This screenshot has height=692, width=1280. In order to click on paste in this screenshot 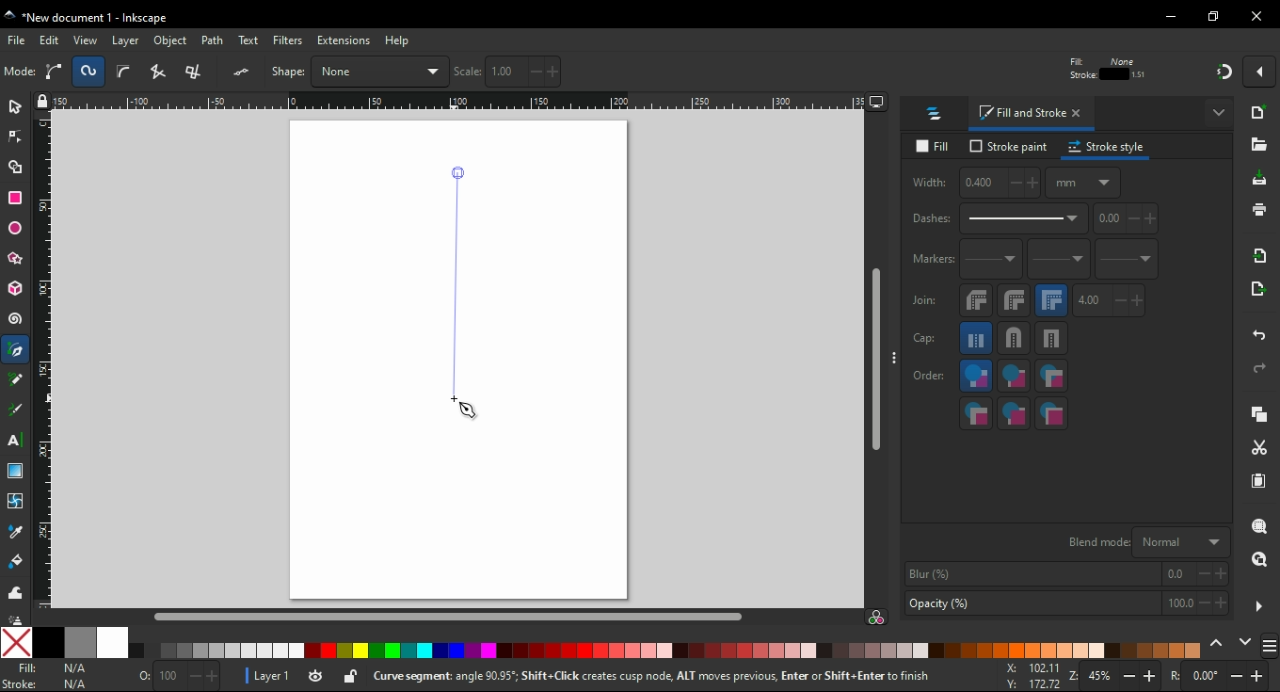, I will do `click(1258, 481)`.